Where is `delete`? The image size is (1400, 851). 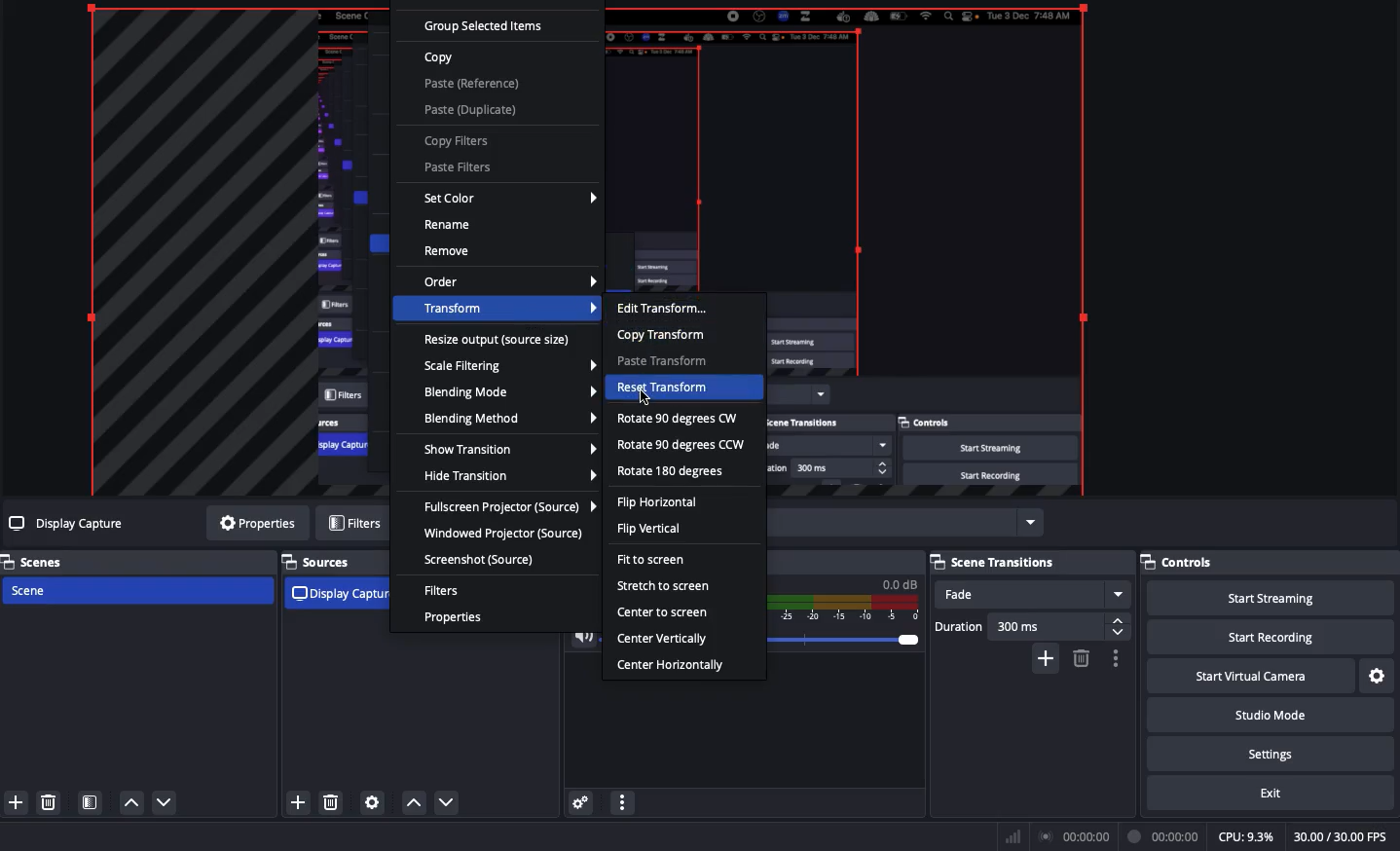
delete is located at coordinates (1084, 662).